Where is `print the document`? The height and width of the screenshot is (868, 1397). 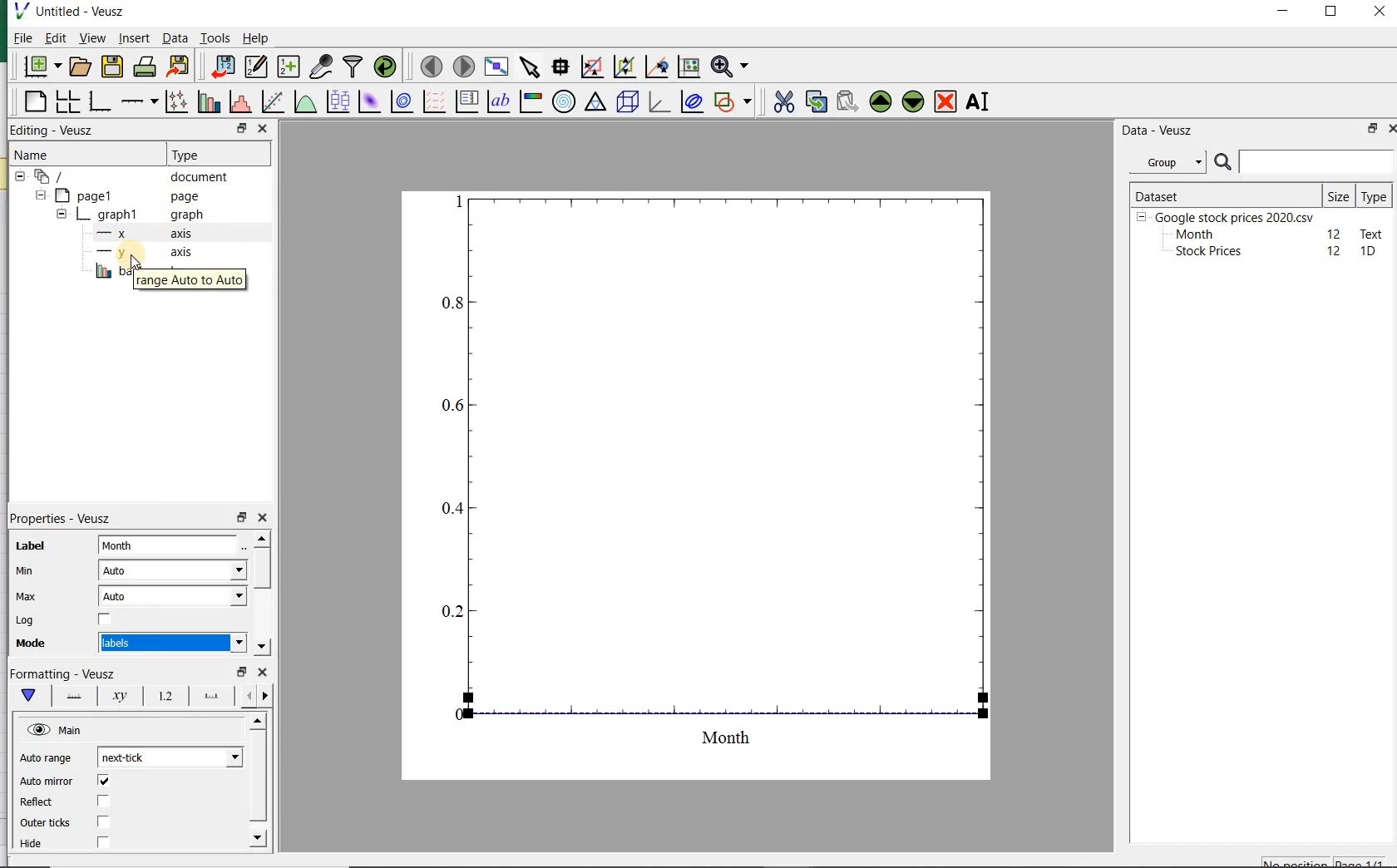 print the document is located at coordinates (145, 68).